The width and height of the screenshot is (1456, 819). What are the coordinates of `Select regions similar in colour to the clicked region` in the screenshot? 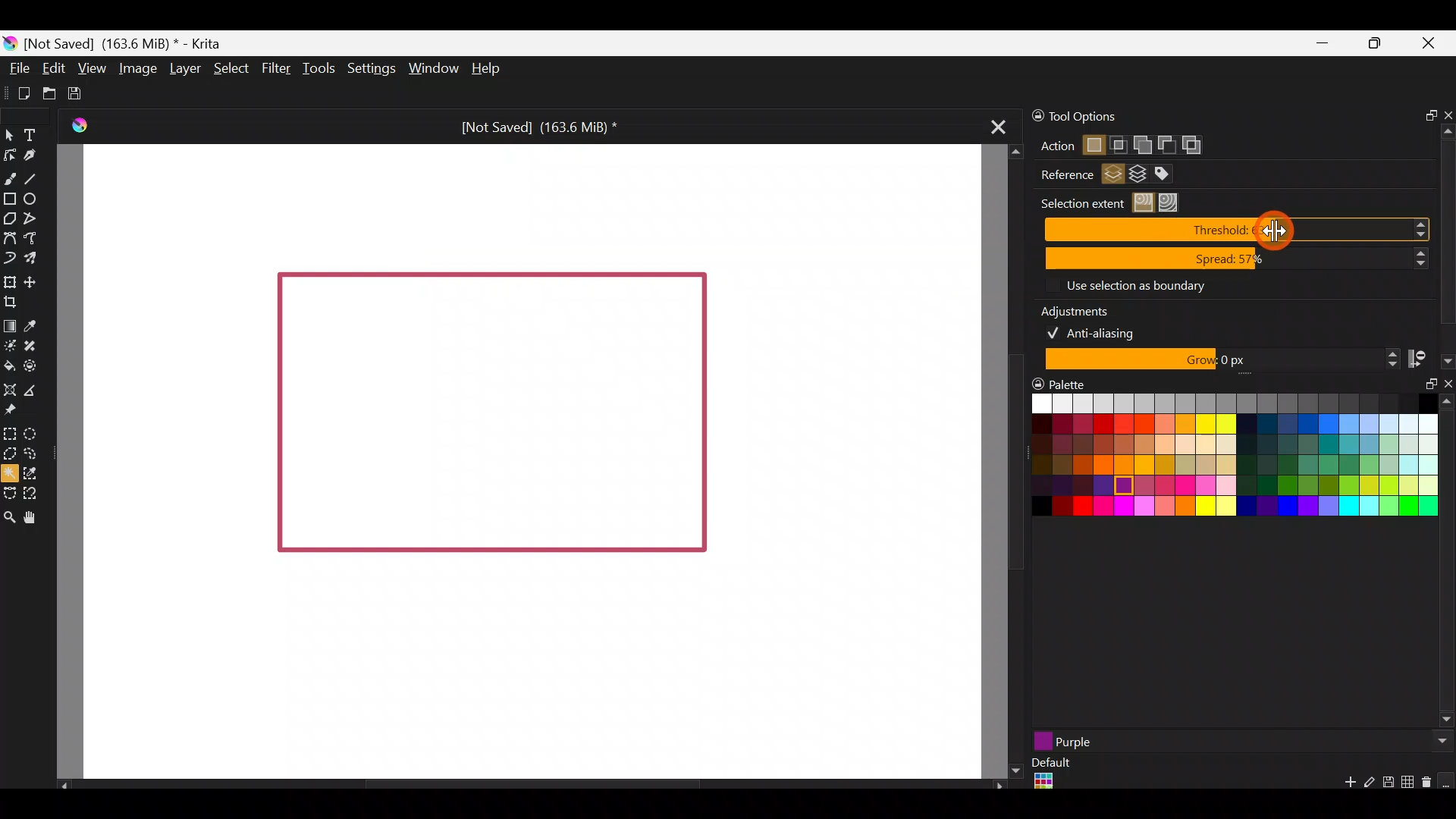 It's located at (1146, 203).